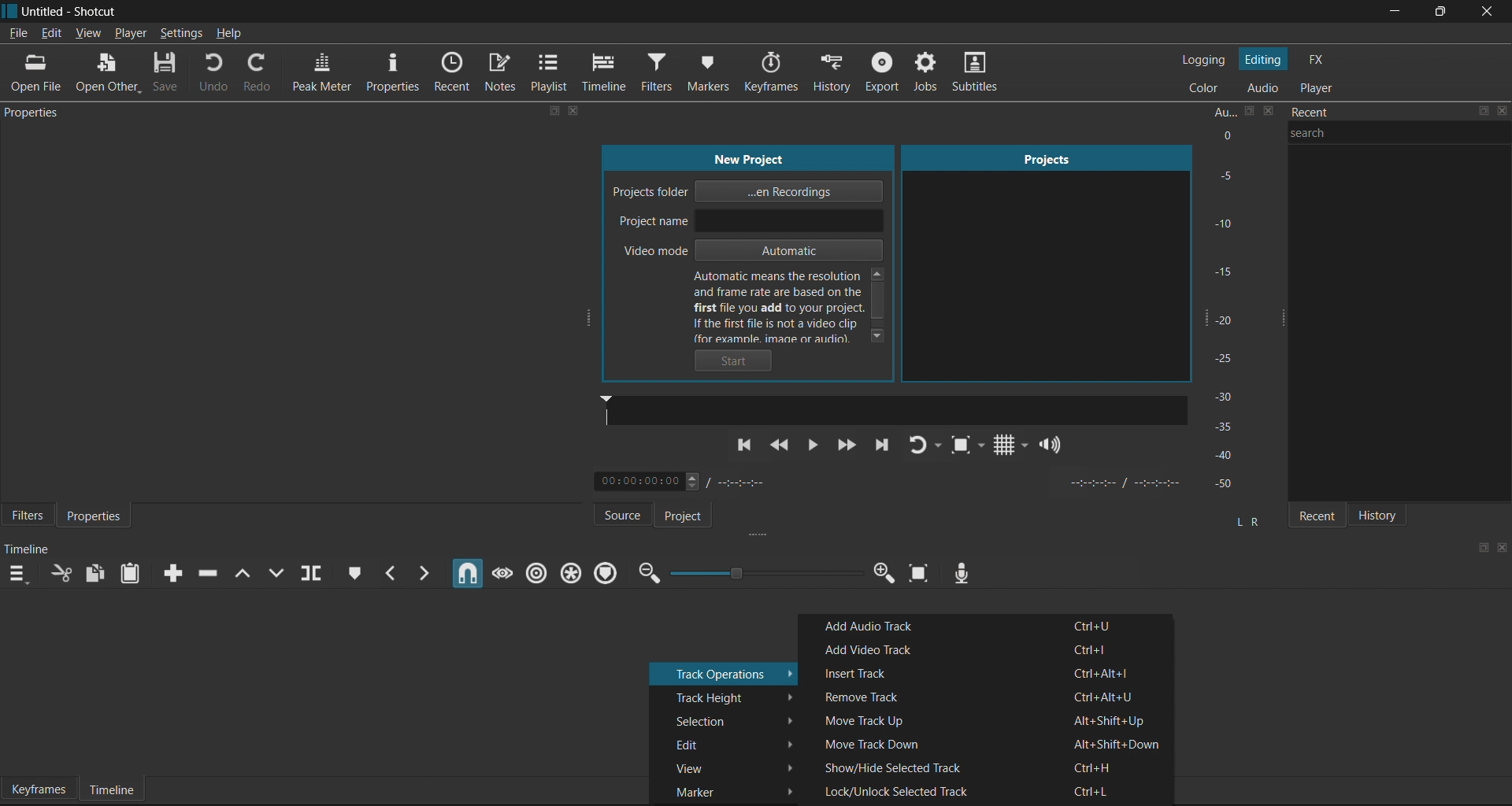 The image size is (1512, 806). Describe the element at coordinates (112, 789) in the screenshot. I see `Timeline` at that location.